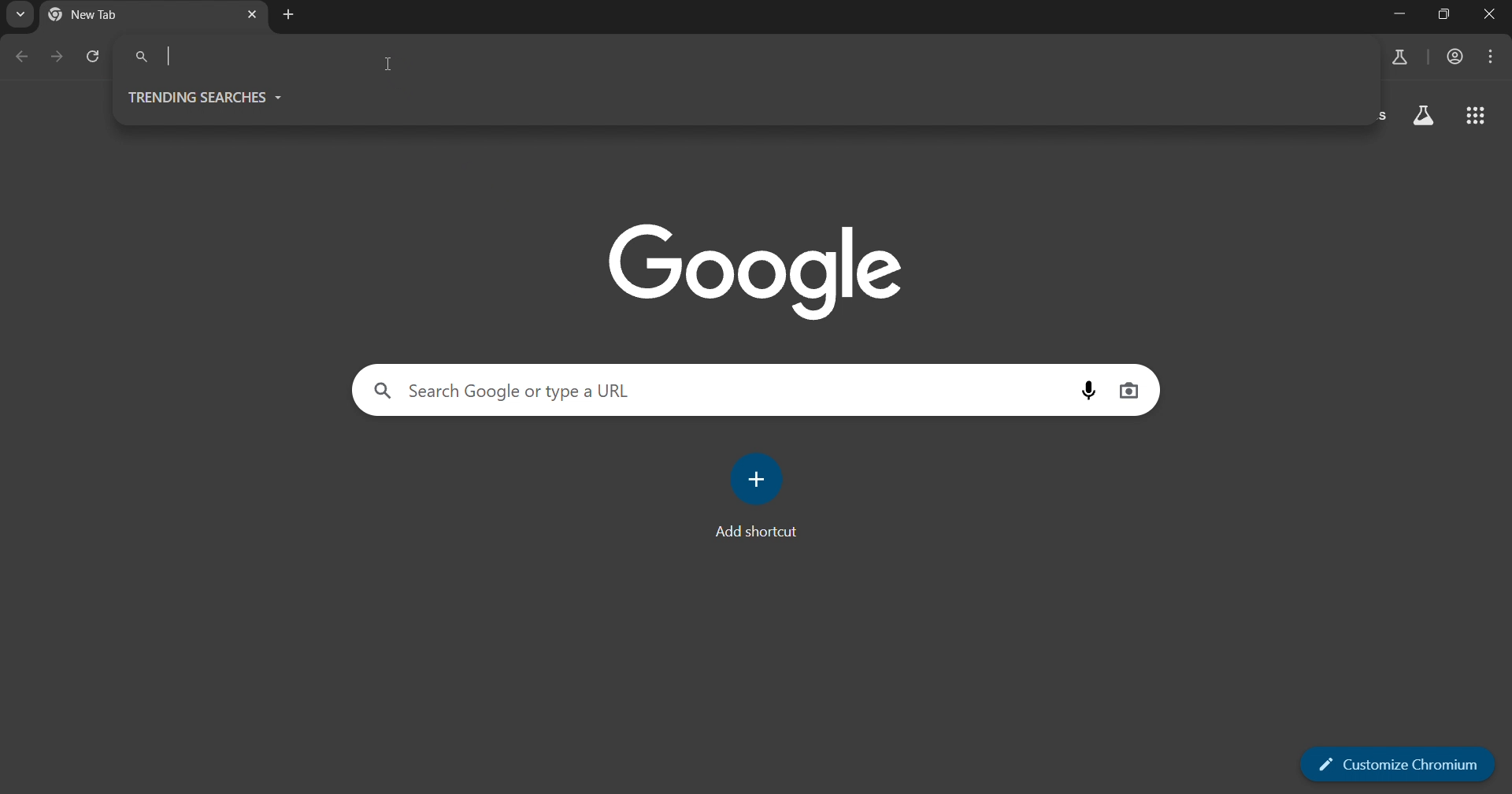 Image resolution: width=1512 pixels, height=794 pixels. Describe the element at coordinates (1424, 117) in the screenshot. I see `google apps` at that location.